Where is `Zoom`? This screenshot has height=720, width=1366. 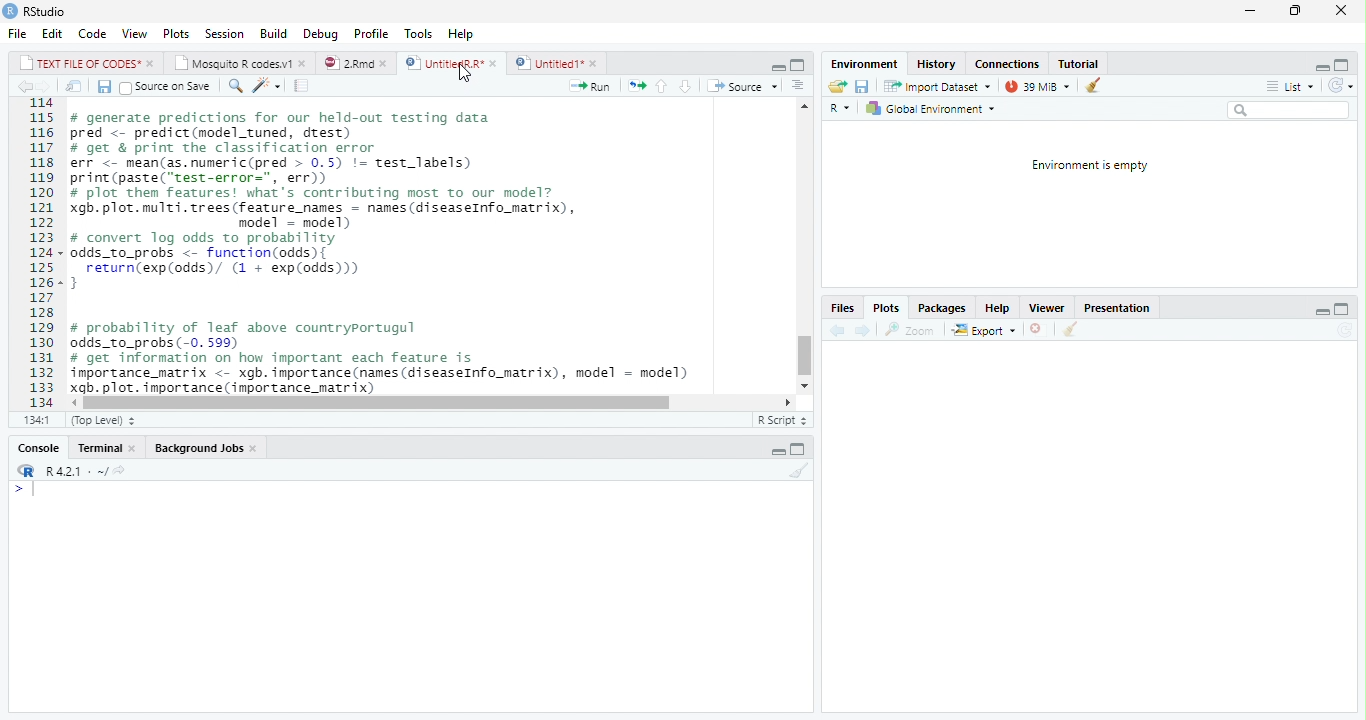 Zoom is located at coordinates (911, 328).